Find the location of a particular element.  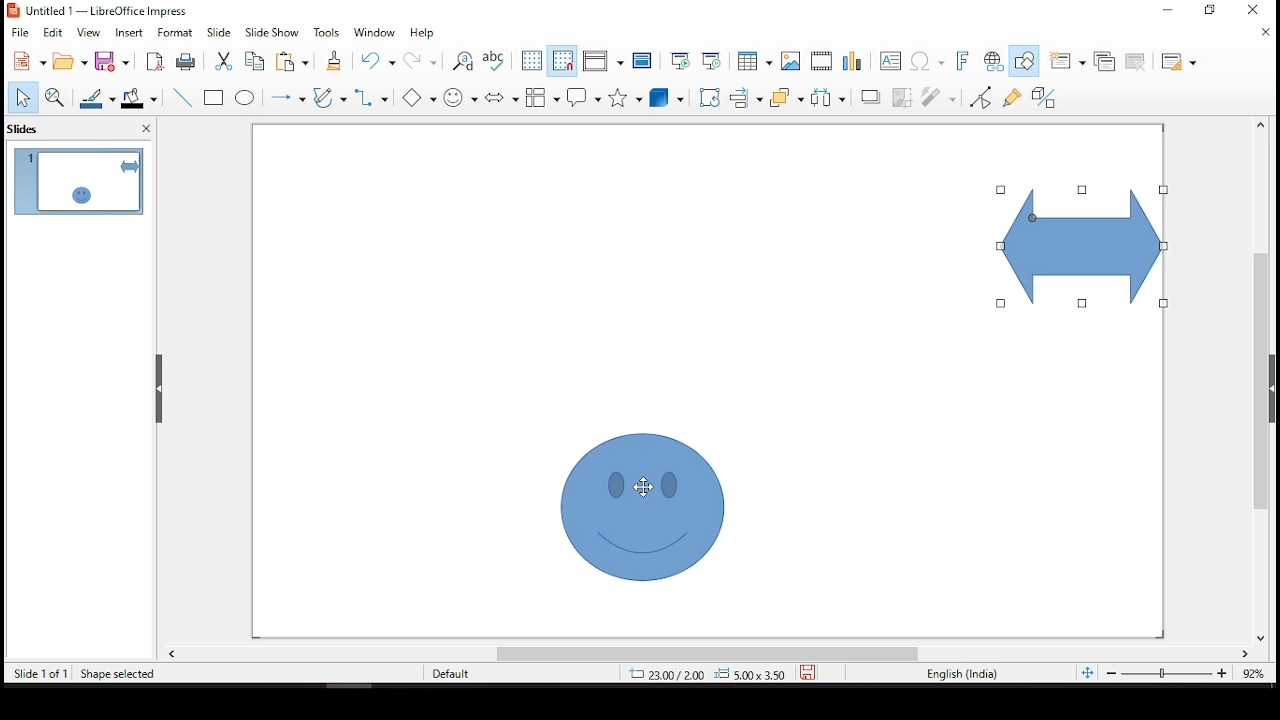

scroll bar is located at coordinates (1267, 381).